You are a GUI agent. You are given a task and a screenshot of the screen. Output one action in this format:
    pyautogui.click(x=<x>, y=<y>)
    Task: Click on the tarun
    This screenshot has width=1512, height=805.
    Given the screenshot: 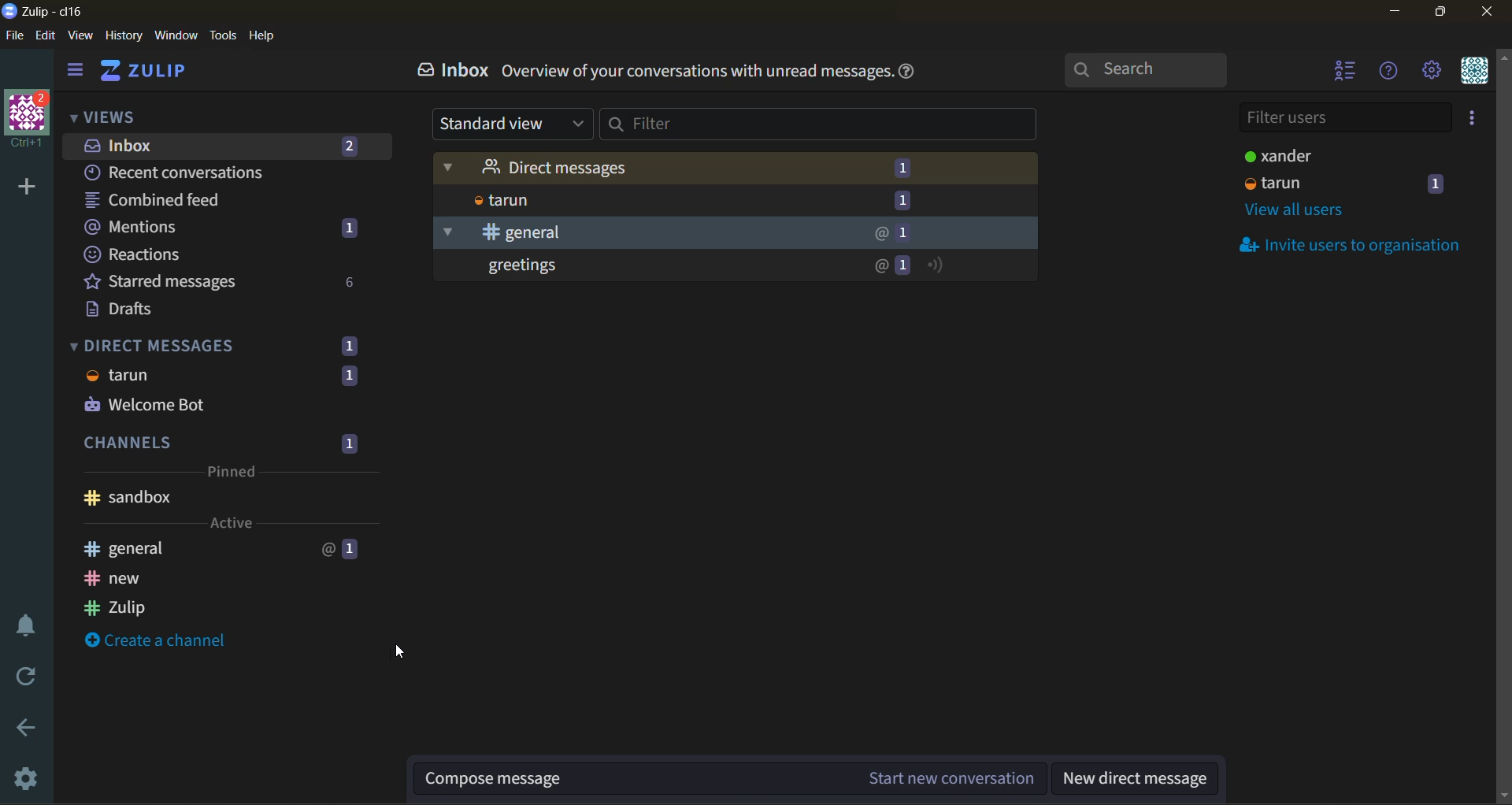 What is the action you would take?
    pyautogui.click(x=740, y=200)
    